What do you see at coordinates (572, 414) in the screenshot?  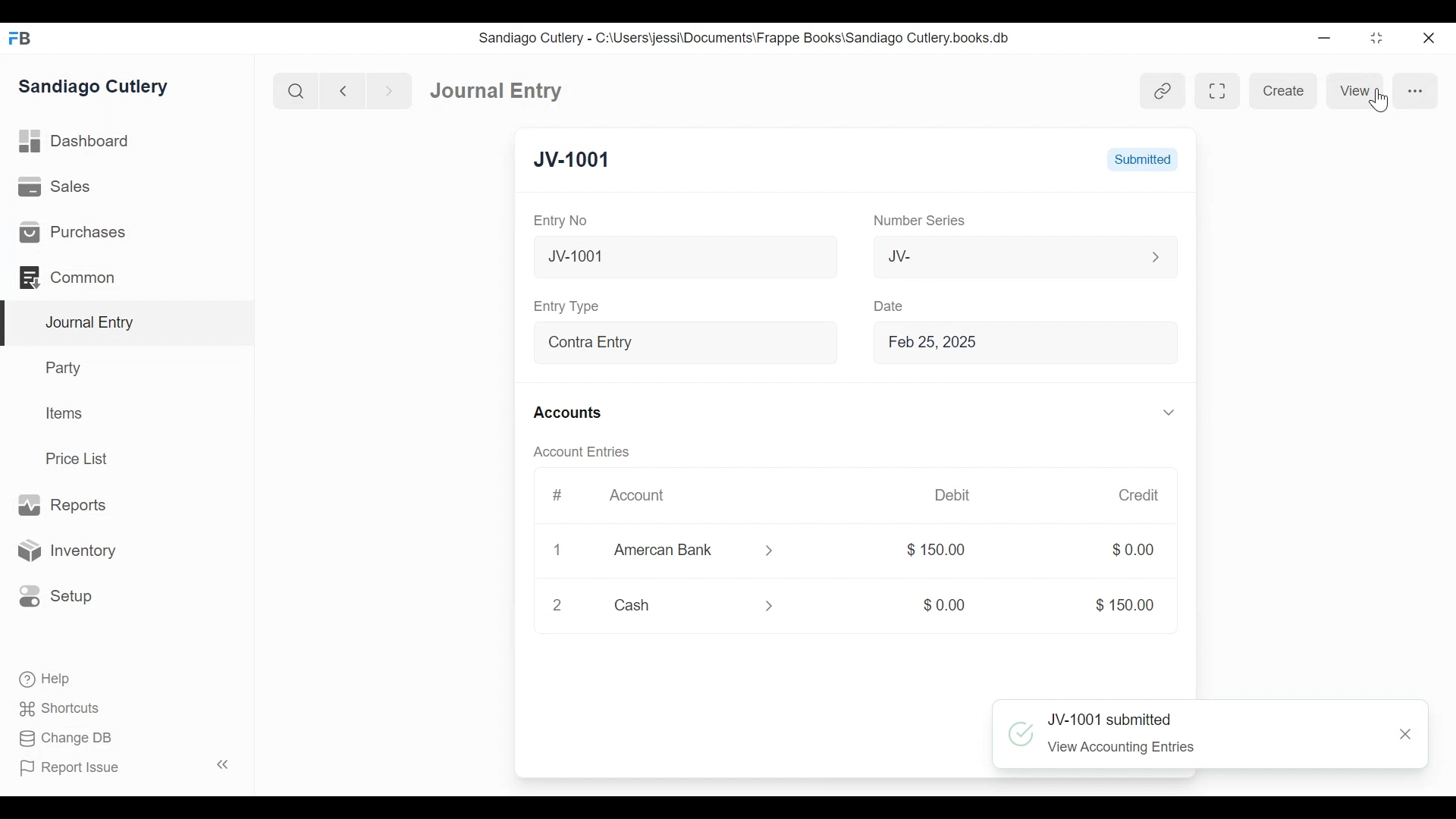 I see `Accounts` at bounding box center [572, 414].